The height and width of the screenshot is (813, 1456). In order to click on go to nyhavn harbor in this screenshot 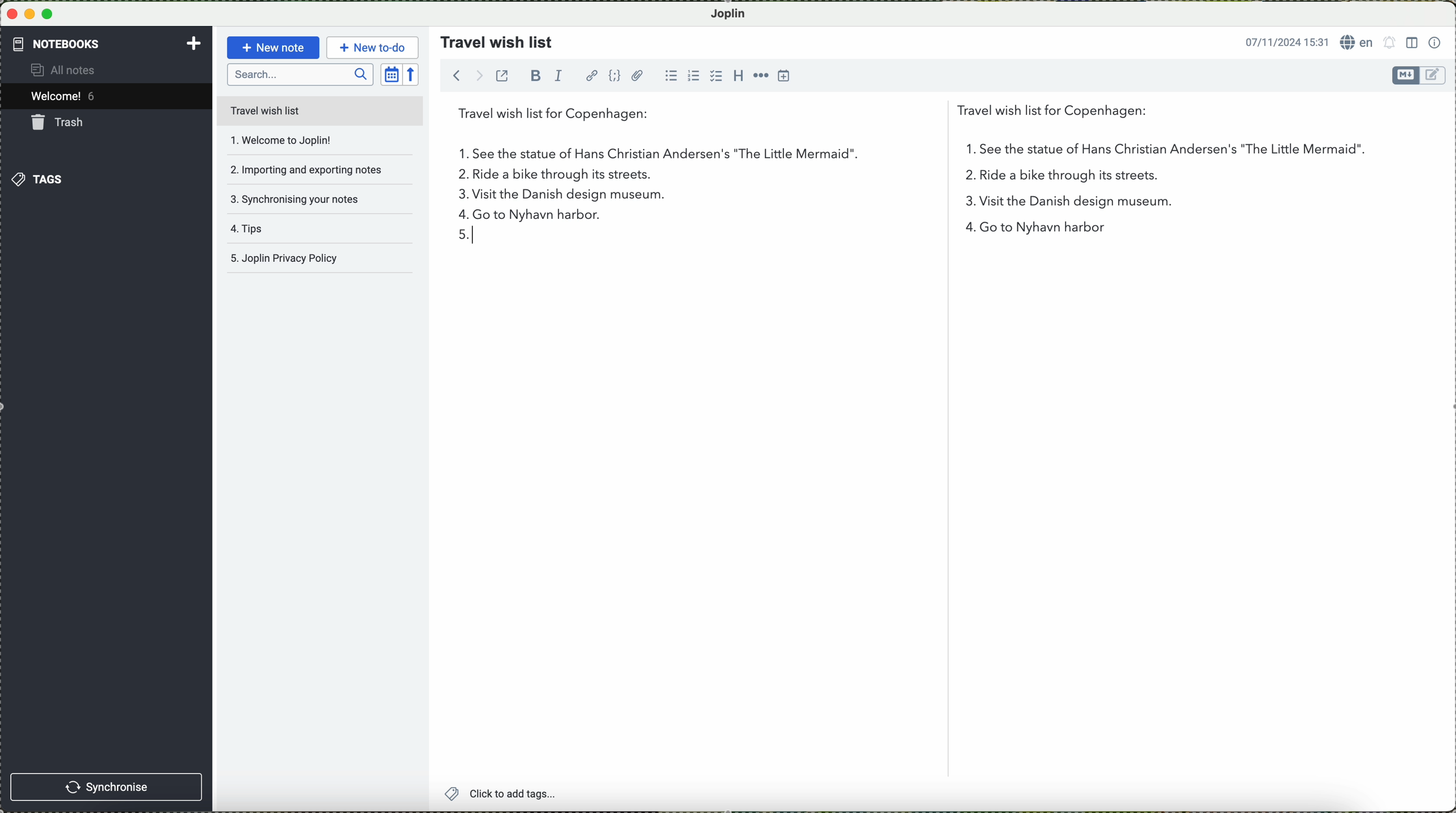, I will do `click(808, 217)`.